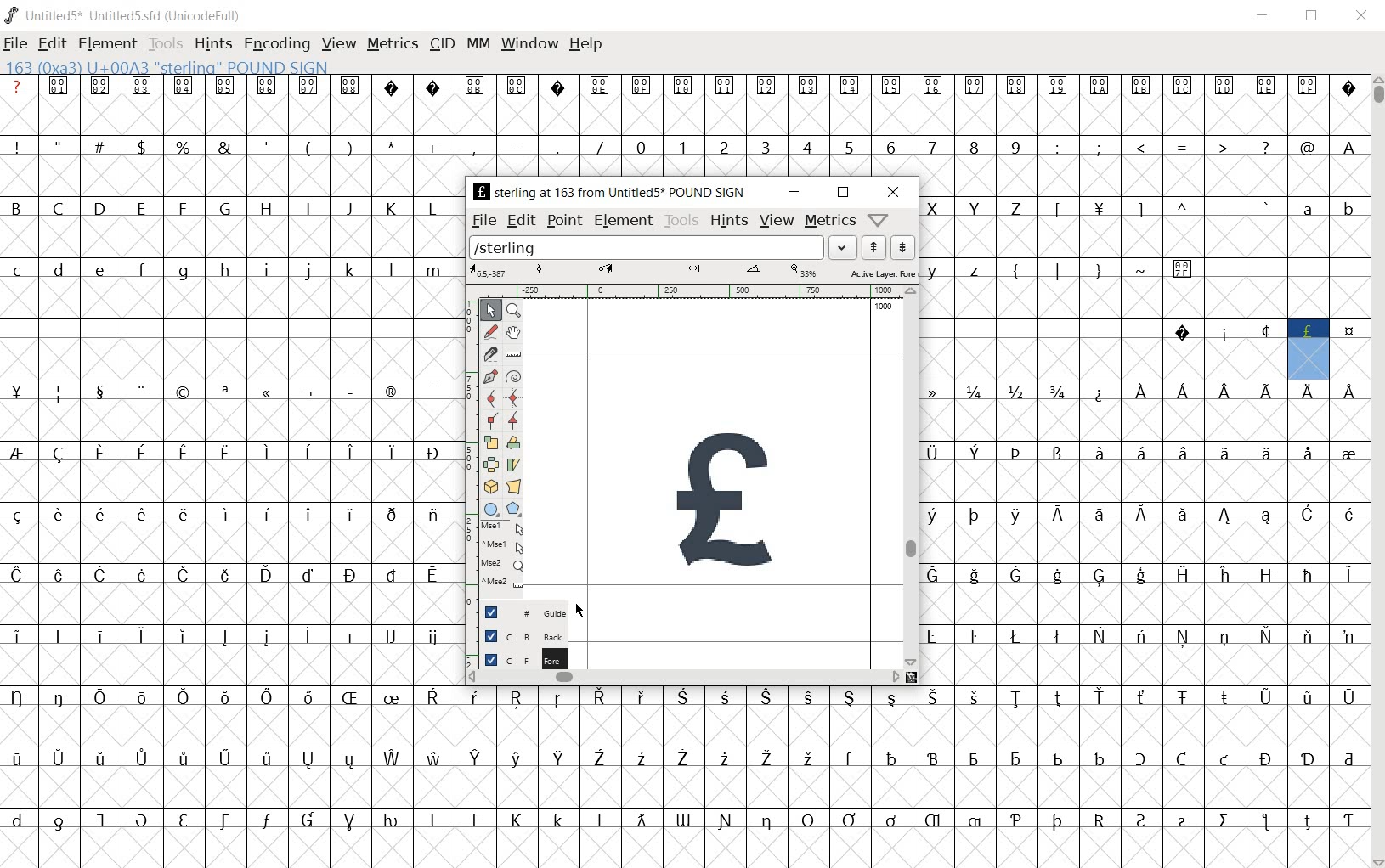  What do you see at coordinates (768, 85) in the screenshot?
I see `Symbol` at bounding box center [768, 85].